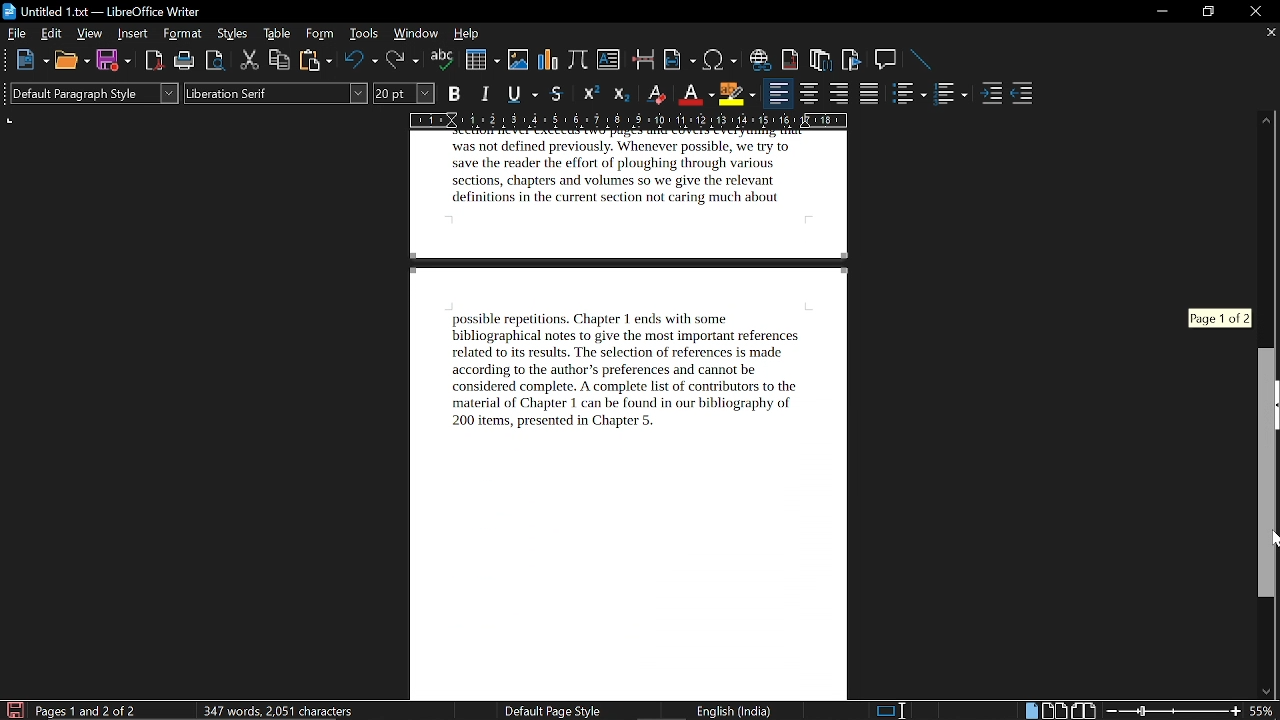 The image size is (1280, 720). Describe the element at coordinates (895, 710) in the screenshot. I see `standard selection` at that location.